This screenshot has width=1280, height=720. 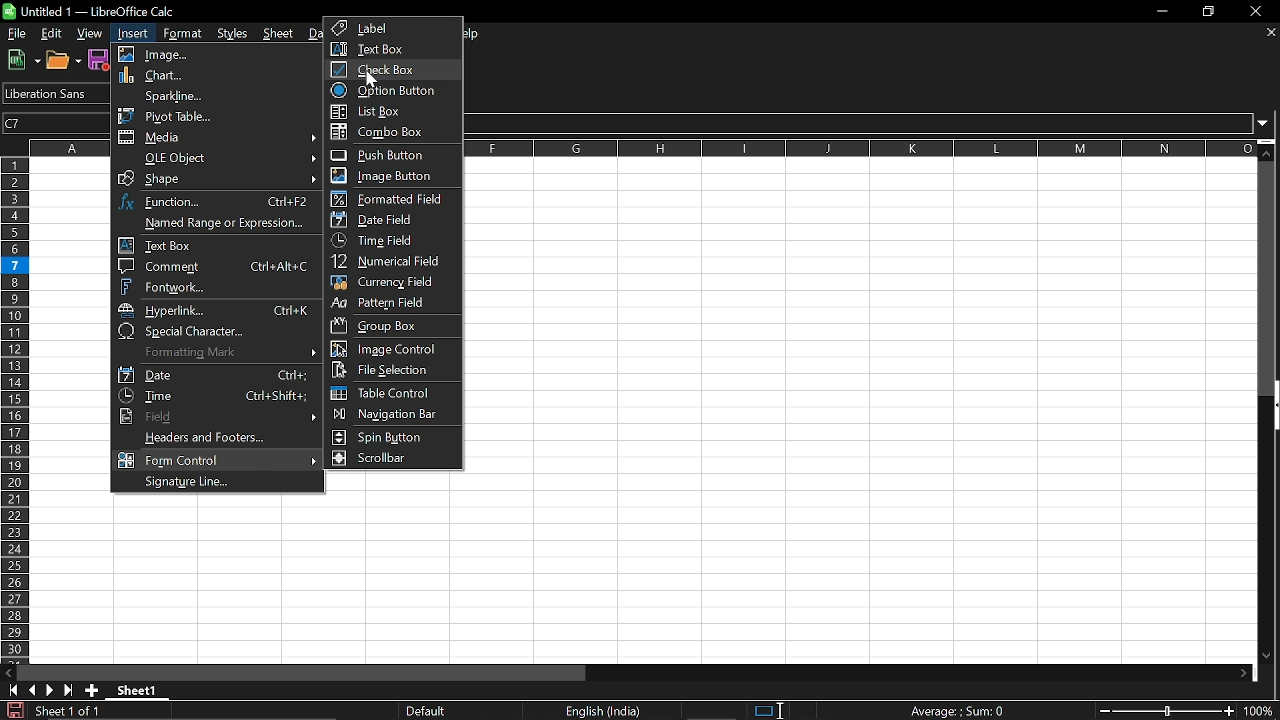 What do you see at coordinates (217, 460) in the screenshot?
I see `Form control` at bounding box center [217, 460].